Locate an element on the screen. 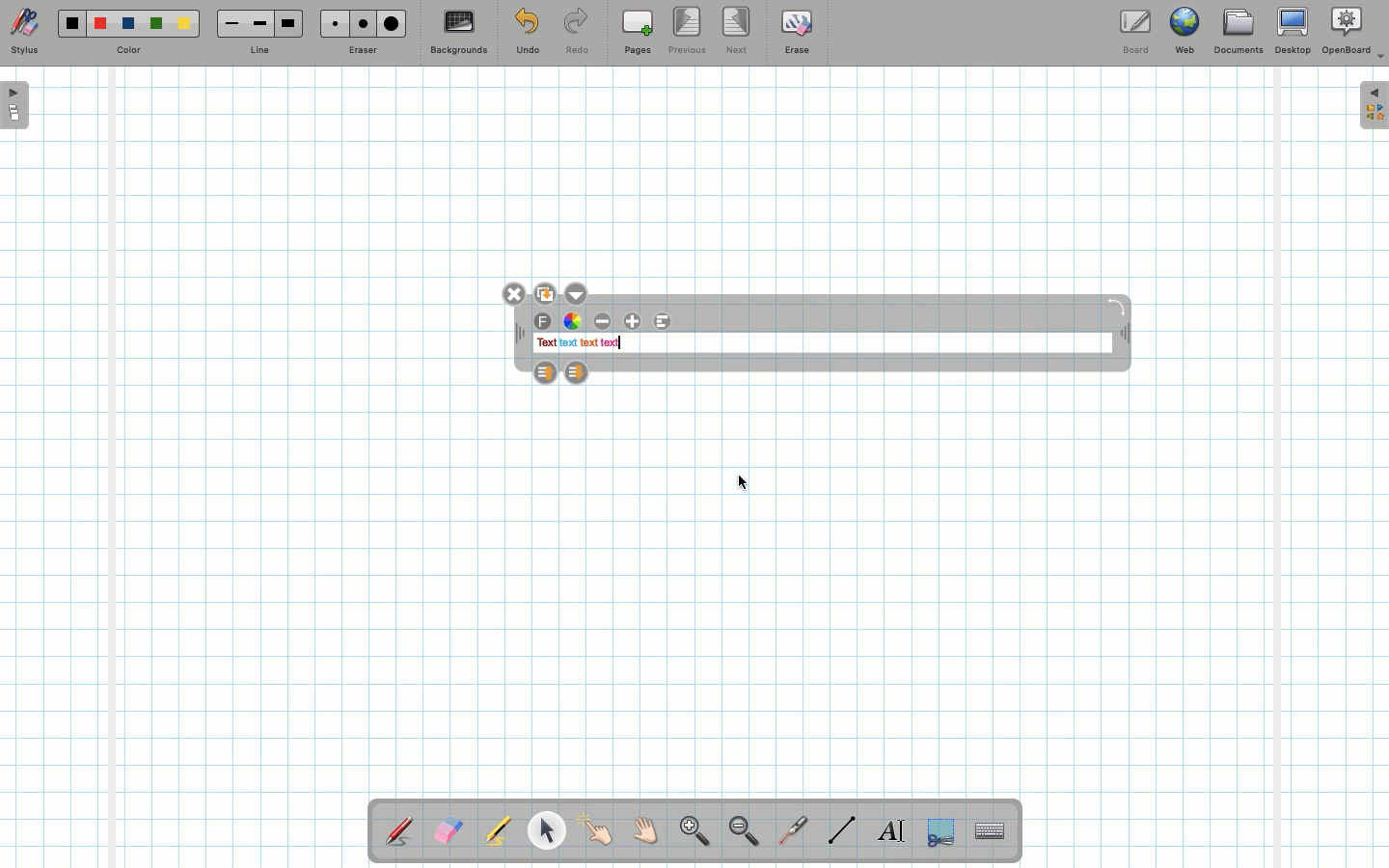 The image size is (1389, 868). Line is located at coordinates (842, 829).